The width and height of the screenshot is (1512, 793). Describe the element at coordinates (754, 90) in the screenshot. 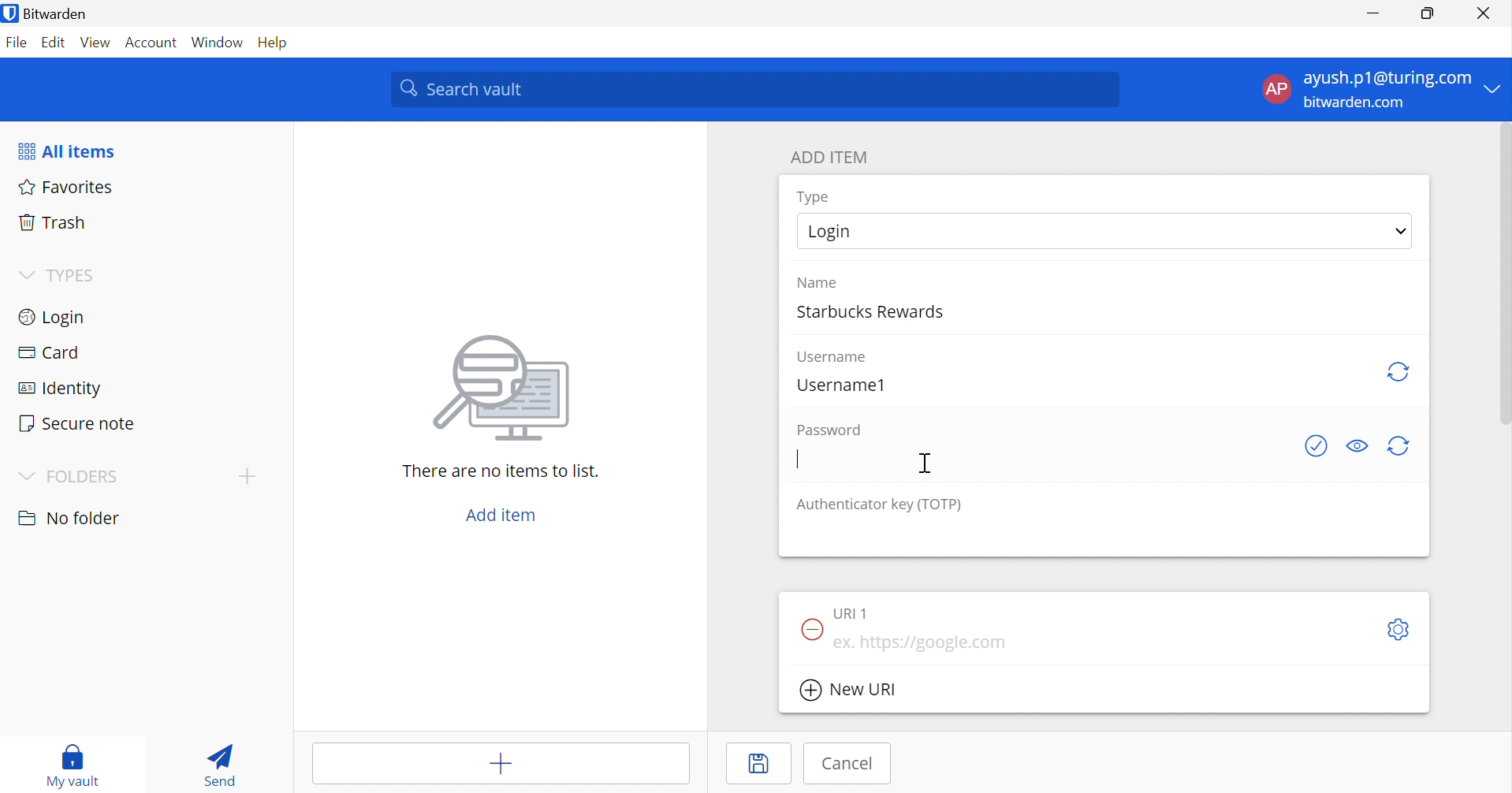

I see `Search vault` at that location.